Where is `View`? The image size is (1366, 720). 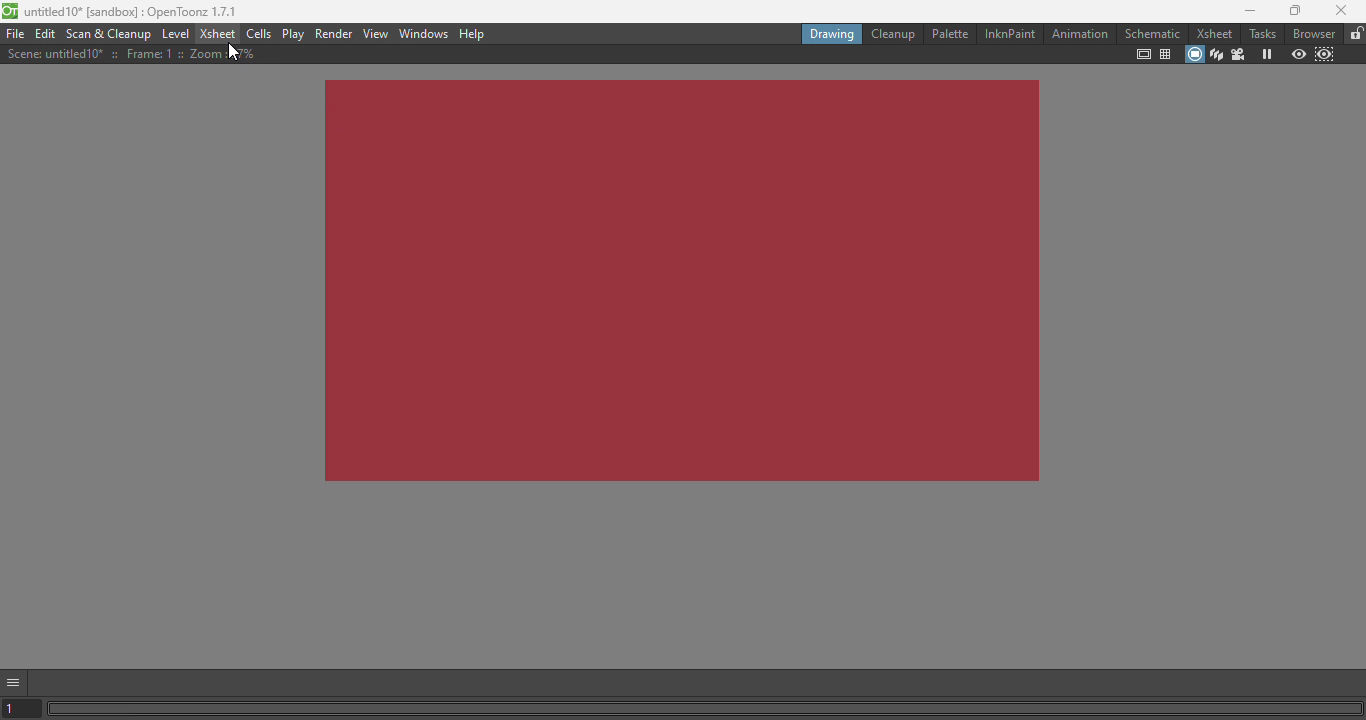 View is located at coordinates (378, 34).